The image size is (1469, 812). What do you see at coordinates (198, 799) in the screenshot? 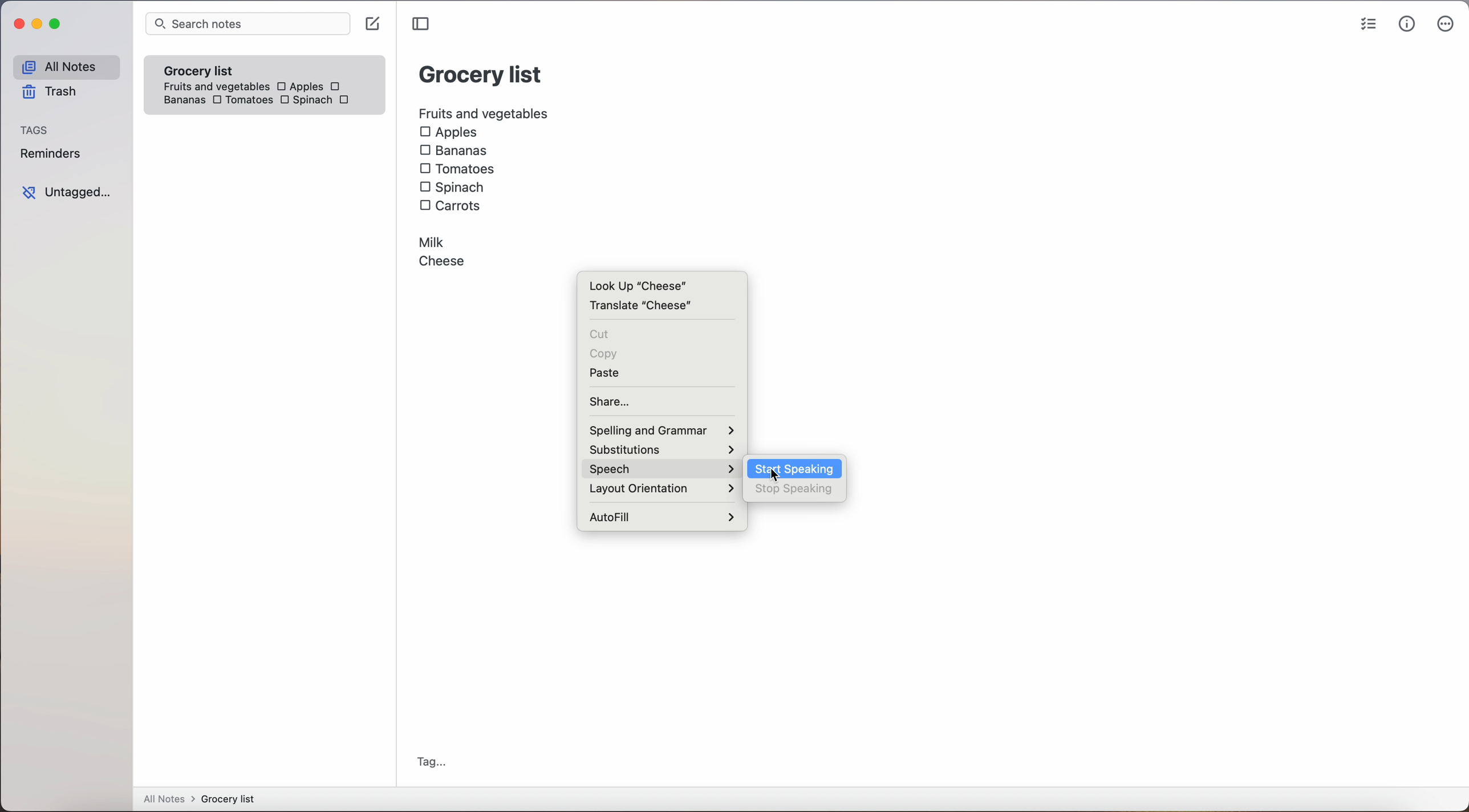
I see `all notes` at bounding box center [198, 799].